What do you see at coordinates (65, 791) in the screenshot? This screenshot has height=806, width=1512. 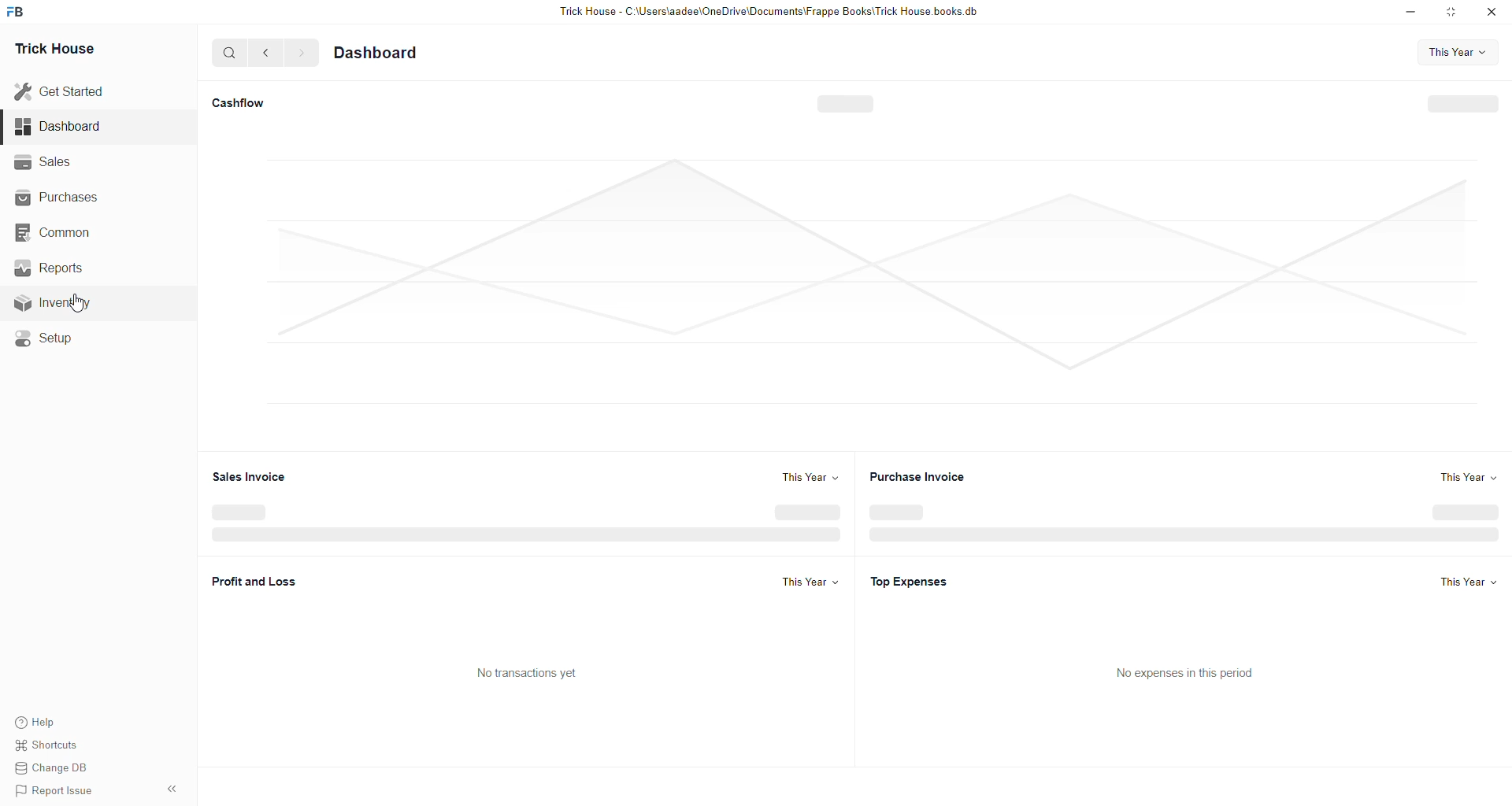 I see `Report issue` at bounding box center [65, 791].